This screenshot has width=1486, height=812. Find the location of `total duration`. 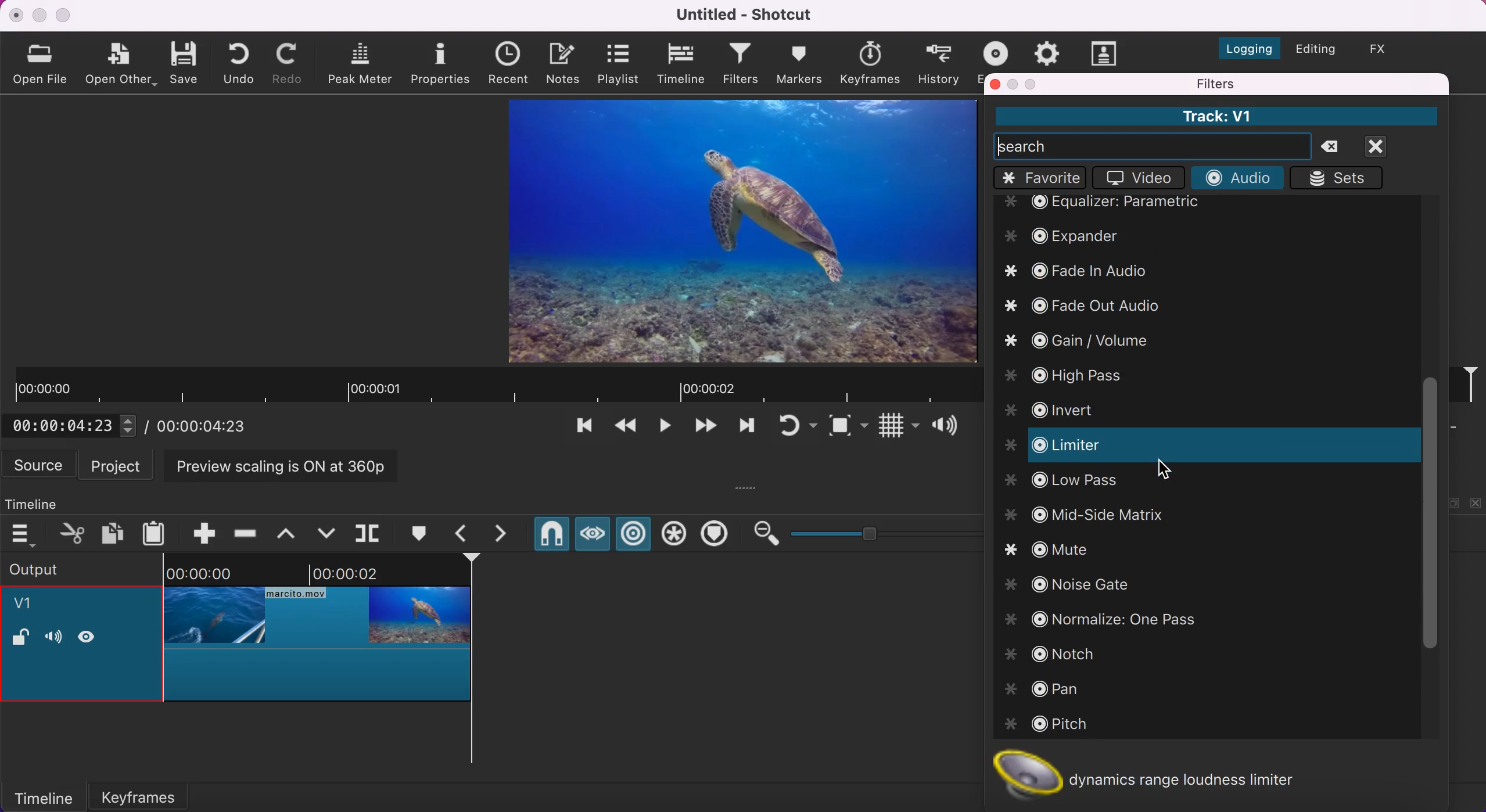

total duration is located at coordinates (208, 426).